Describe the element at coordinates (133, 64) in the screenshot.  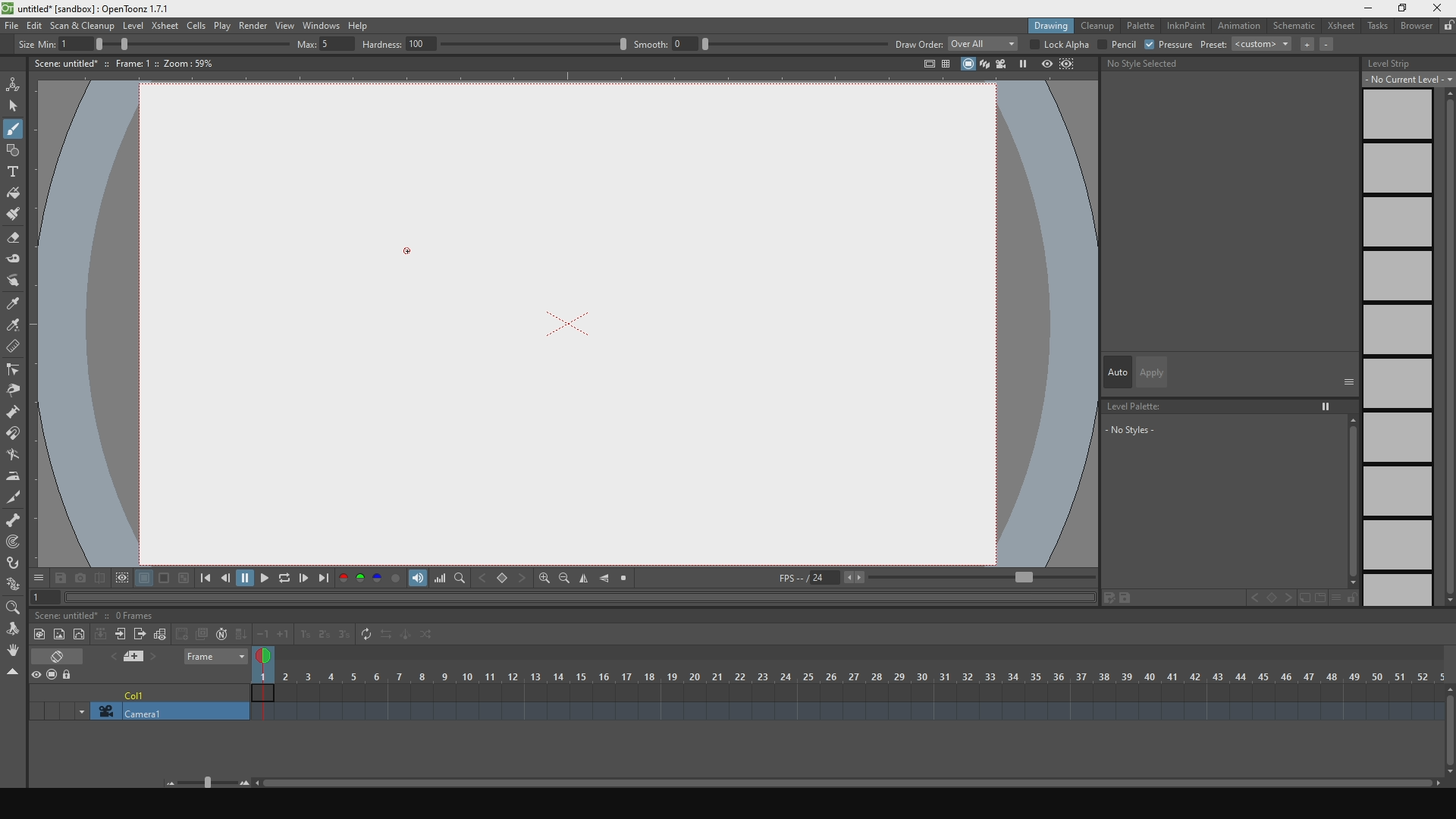
I see `scene details` at that location.